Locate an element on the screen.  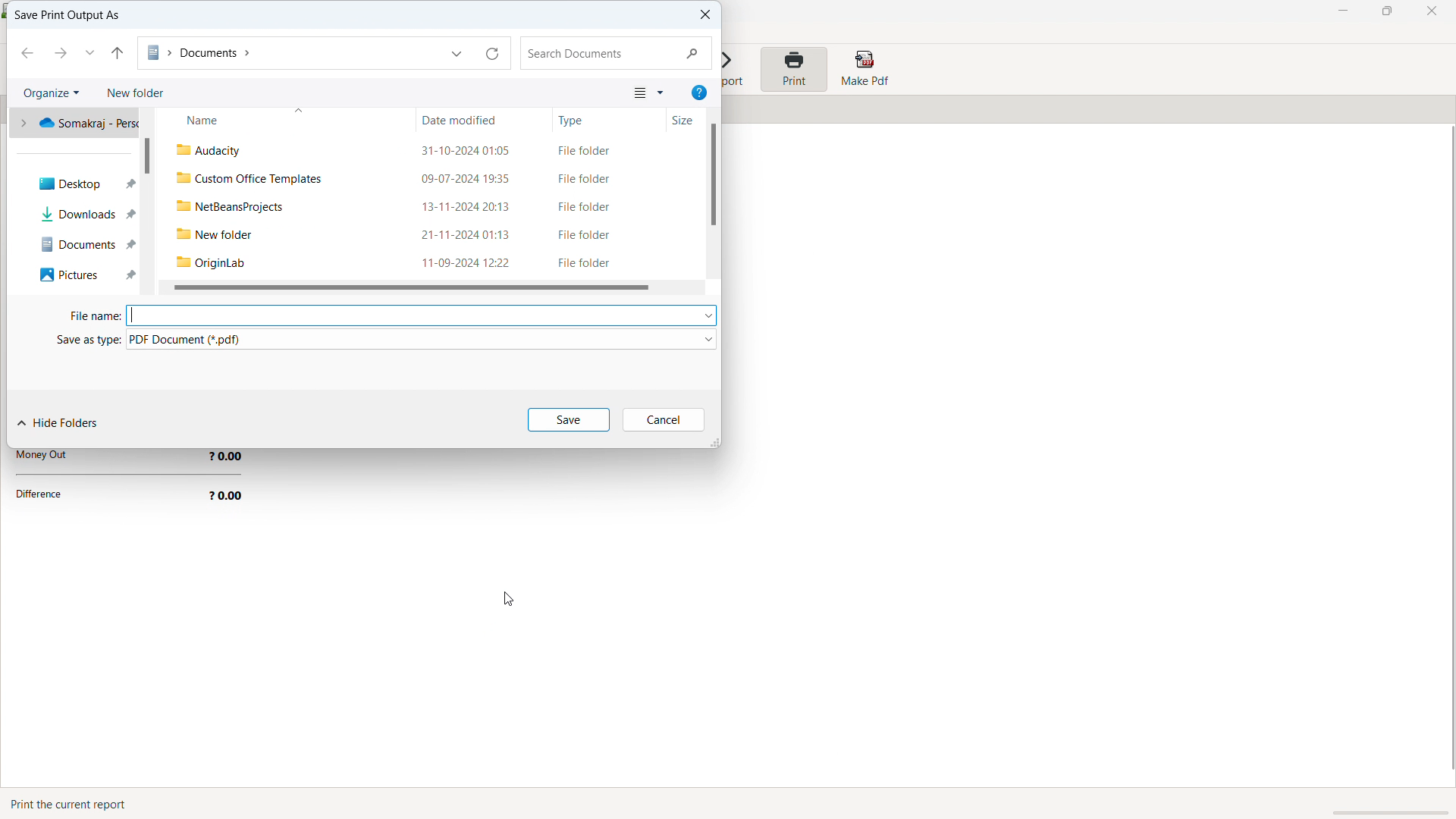
type is located at coordinates (598, 119).